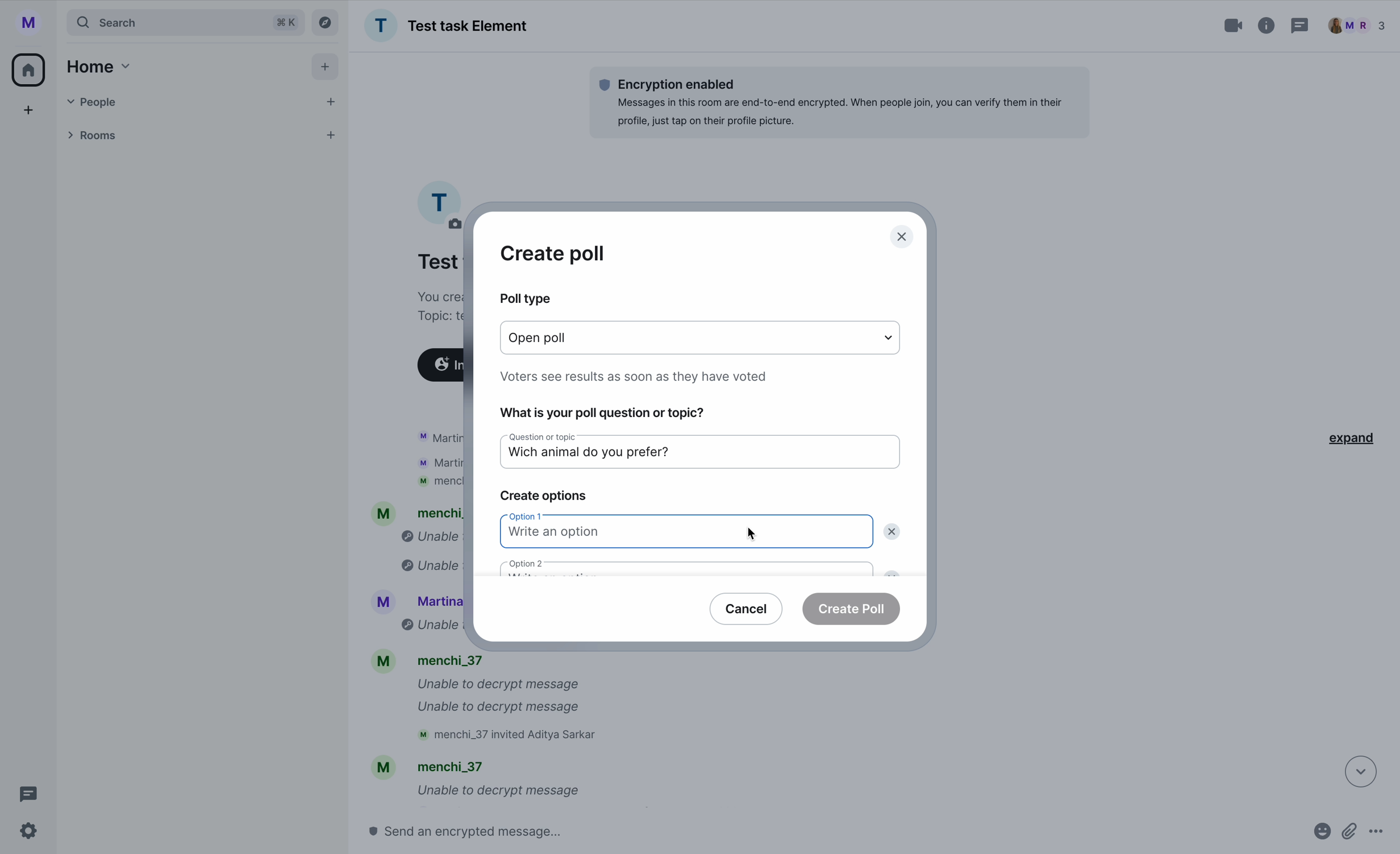 The width and height of the screenshot is (1400, 854). What do you see at coordinates (1382, 836) in the screenshot?
I see `more options` at bounding box center [1382, 836].